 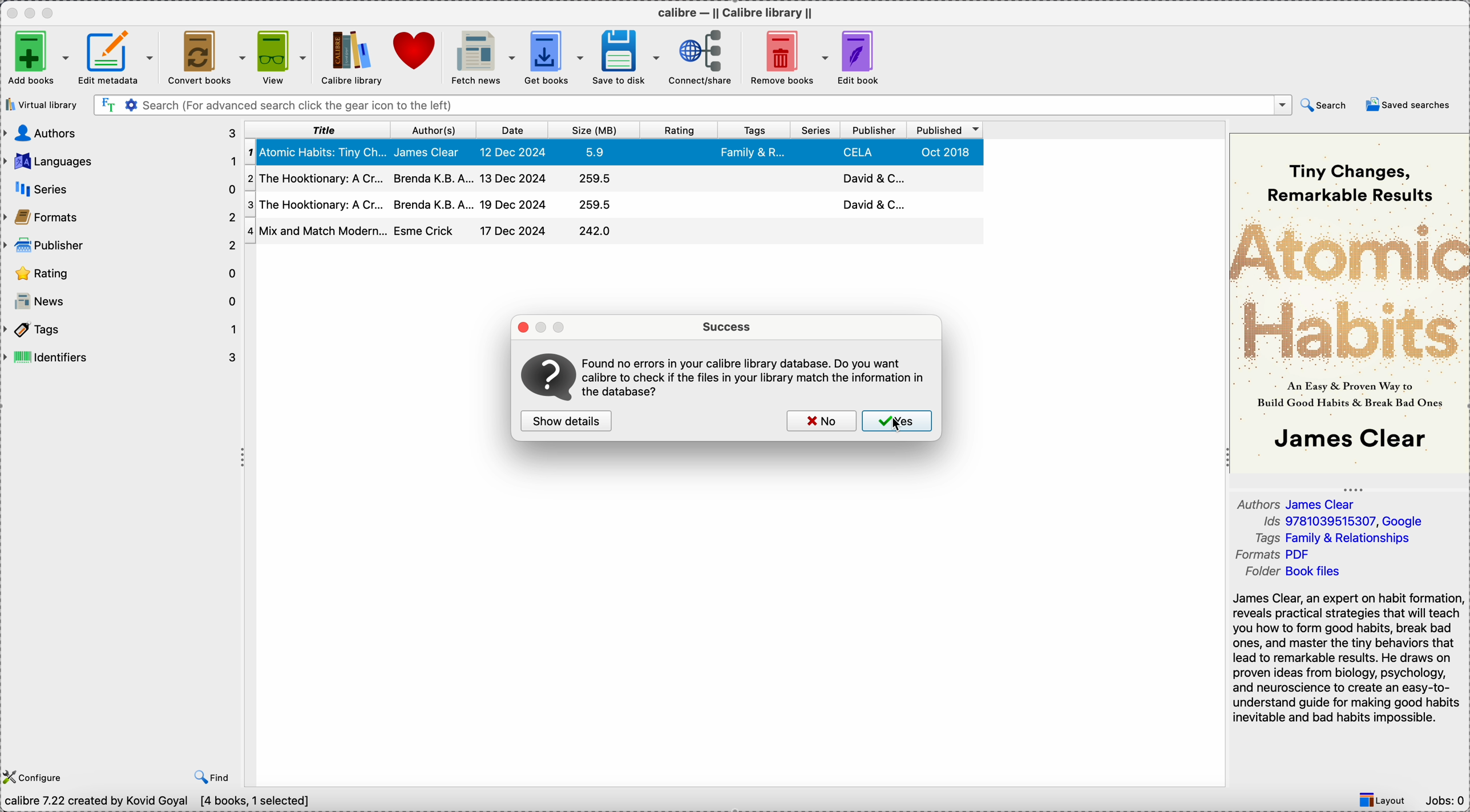 What do you see at coordinates (282, 58) in the screenshot?
I see `view` at bounding box center [282, 58].